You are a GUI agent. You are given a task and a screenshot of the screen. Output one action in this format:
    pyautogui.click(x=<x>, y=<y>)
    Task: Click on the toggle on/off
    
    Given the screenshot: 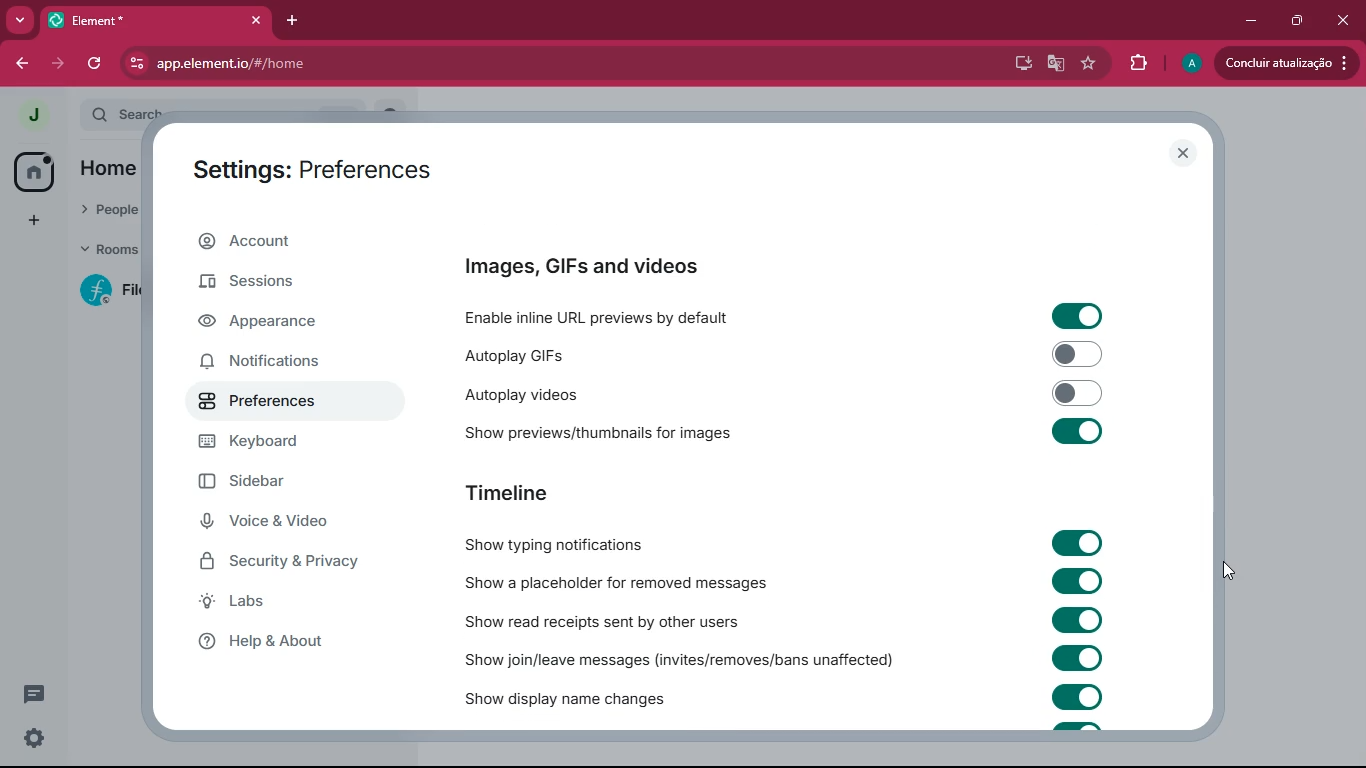 What is the action you would take?
    pyautogui.click(x=1078, y=316)
    